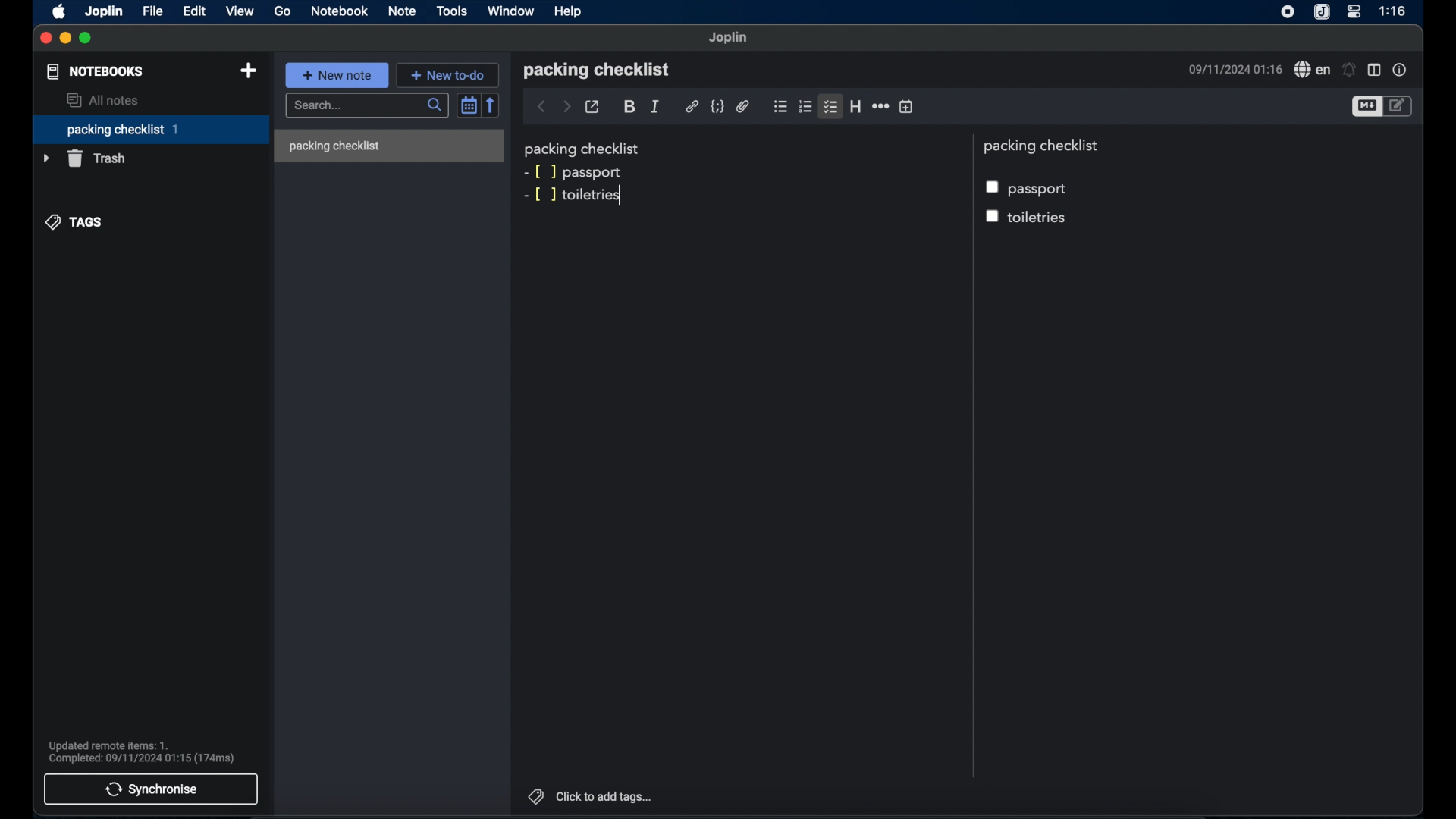  Describe the element at coordinates (403, 11) in the screenshot. I see `note` at that location.